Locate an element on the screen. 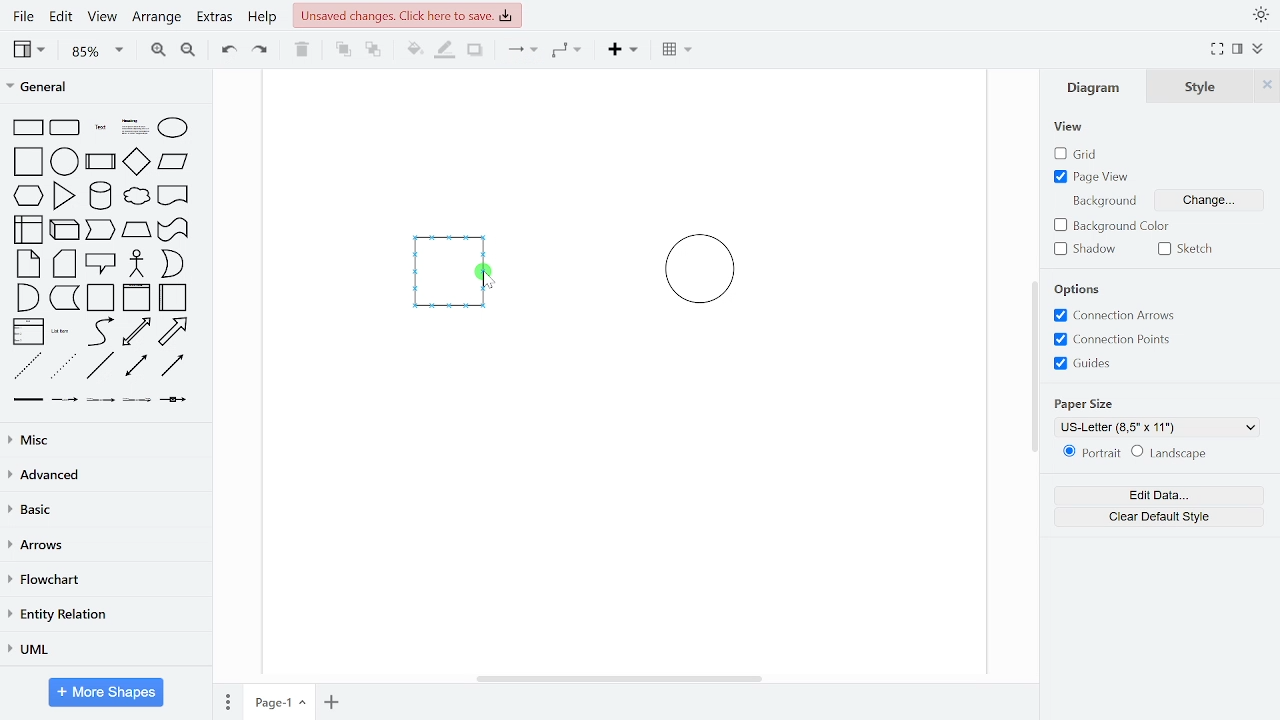 The width and height of the screenshot is (1280, 720). horizontal container is located at coordinates (174, 297).